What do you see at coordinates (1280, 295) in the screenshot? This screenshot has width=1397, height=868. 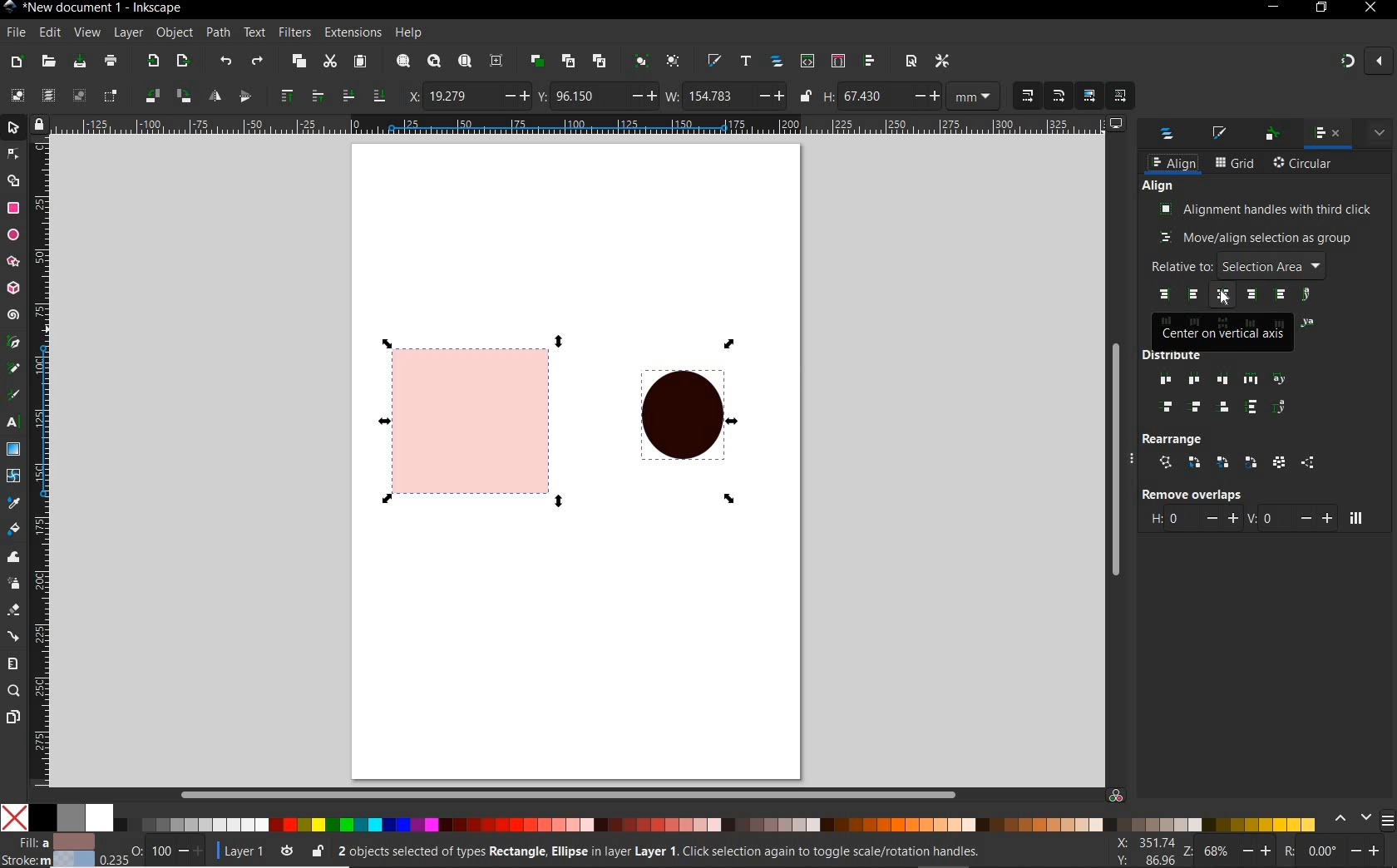 I see `ALIGN LEFT EDGES OF OBJECTS TO THE RIGHT EDGE OF ANCHOR` at bounding box center [1280, 295].